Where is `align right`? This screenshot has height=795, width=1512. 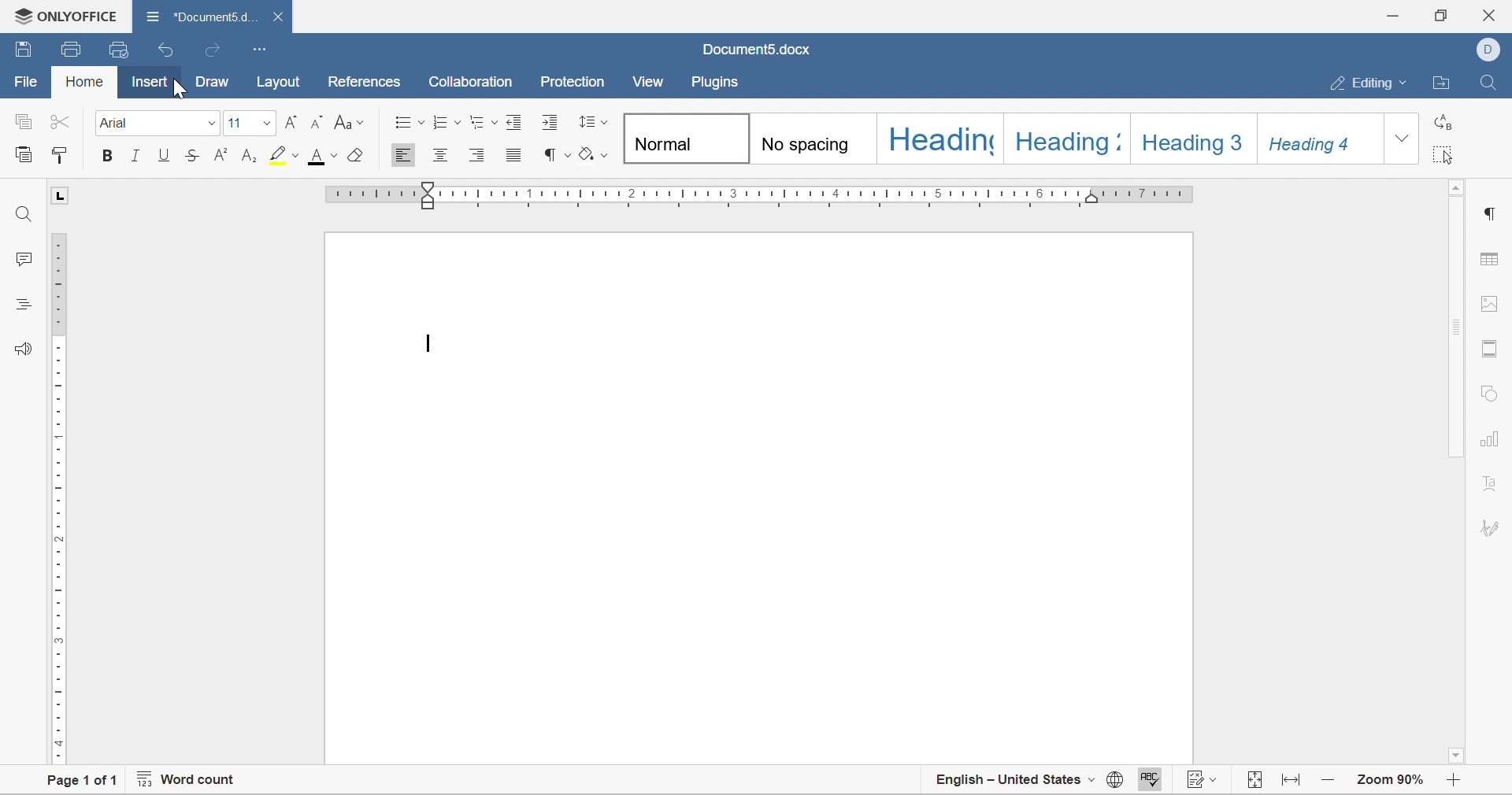
align right is located at coordinates (475, 154).